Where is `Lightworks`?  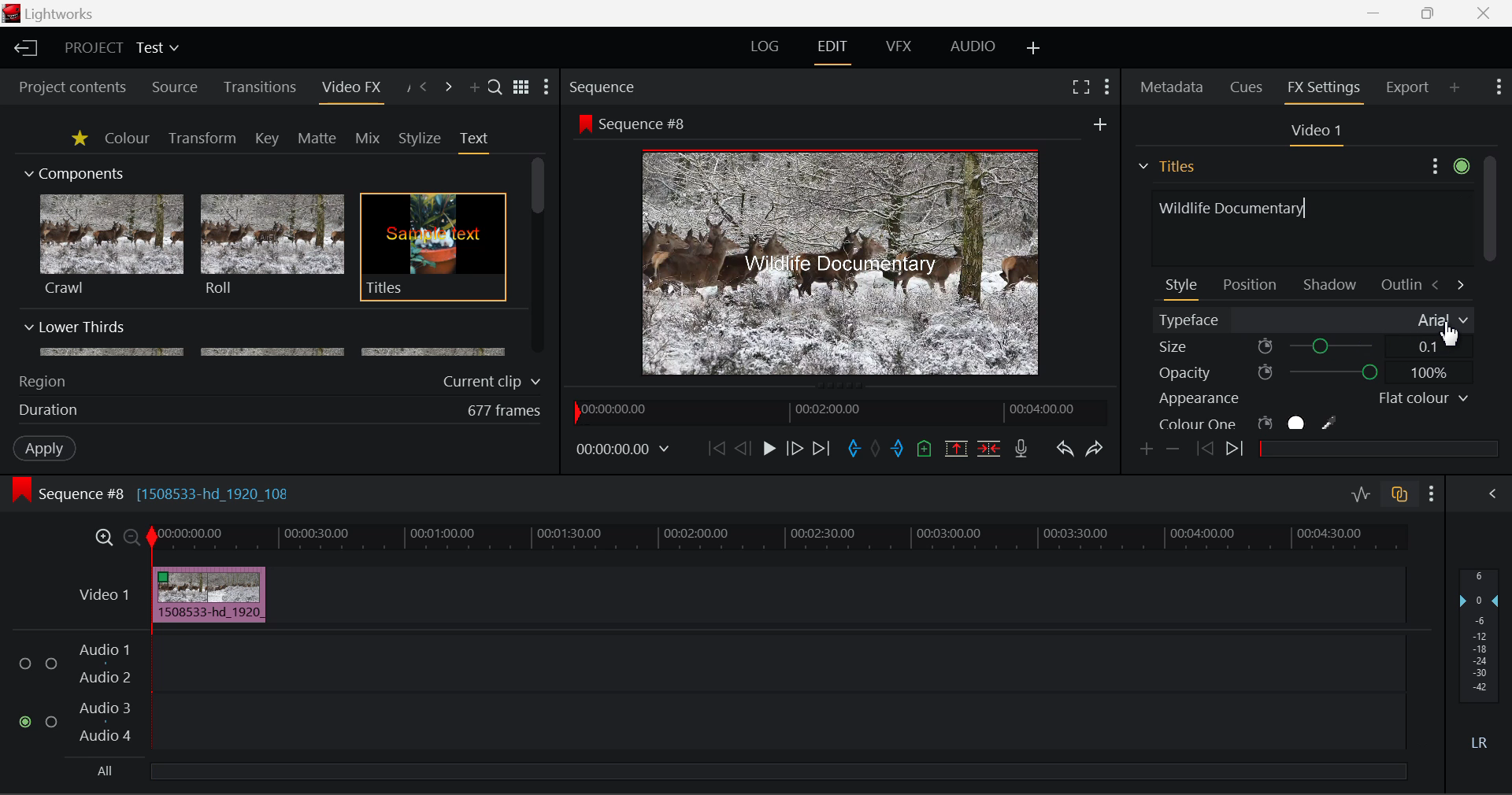
Lightworks is located at coordinates (61, 13).